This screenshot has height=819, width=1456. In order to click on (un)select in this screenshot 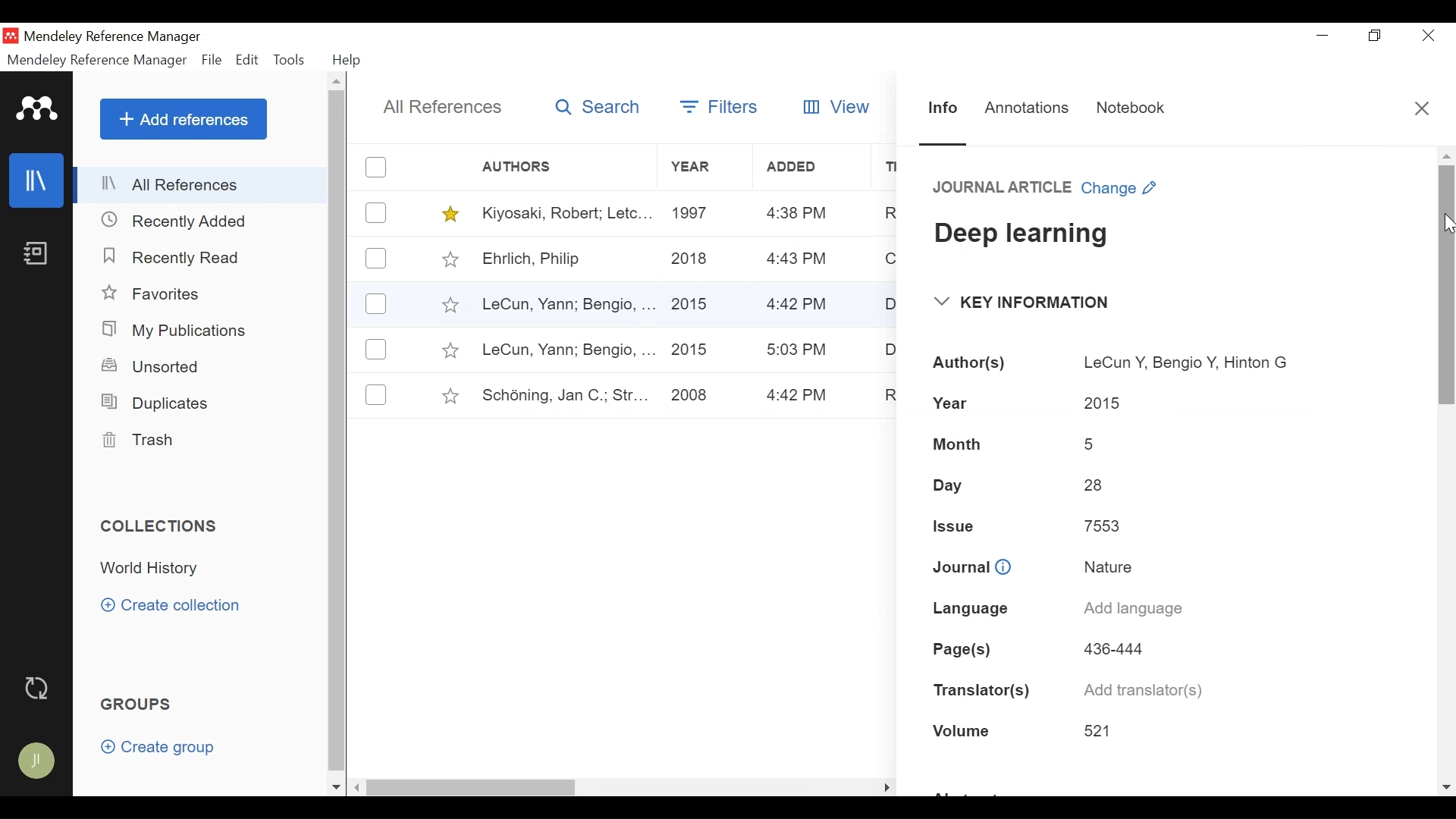, I will do `click(375, 349)`.